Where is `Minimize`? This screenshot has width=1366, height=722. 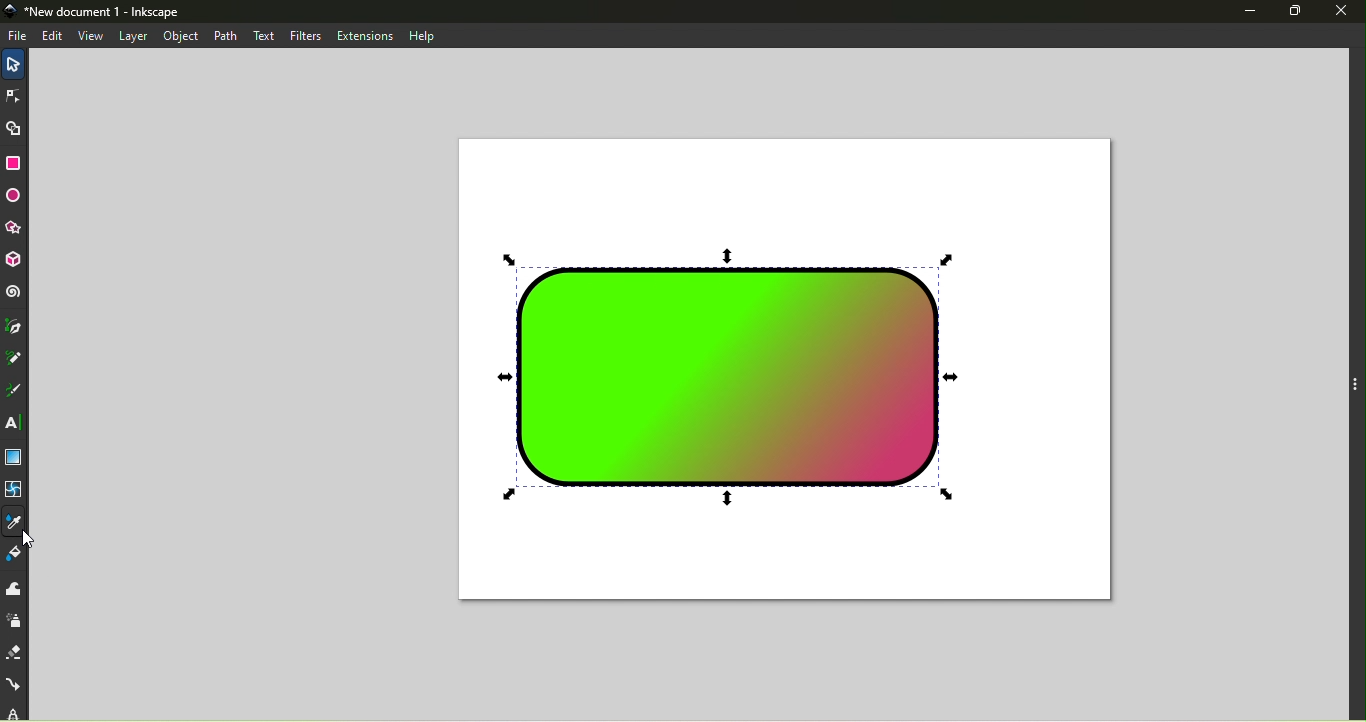
Minimize is located at coordinates (1248, 12).